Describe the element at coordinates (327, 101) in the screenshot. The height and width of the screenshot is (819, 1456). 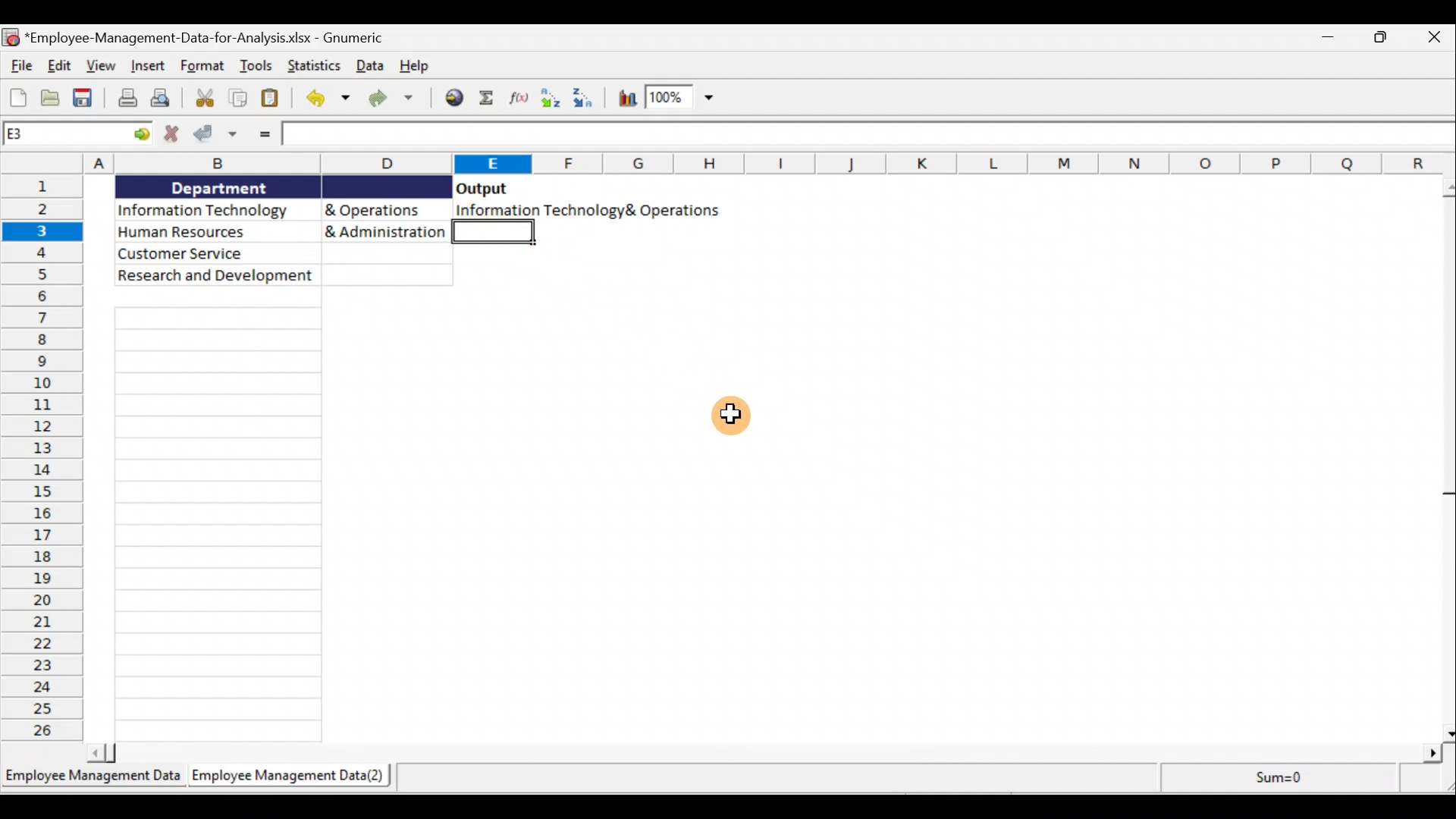
I see `Undo last action` at that location.